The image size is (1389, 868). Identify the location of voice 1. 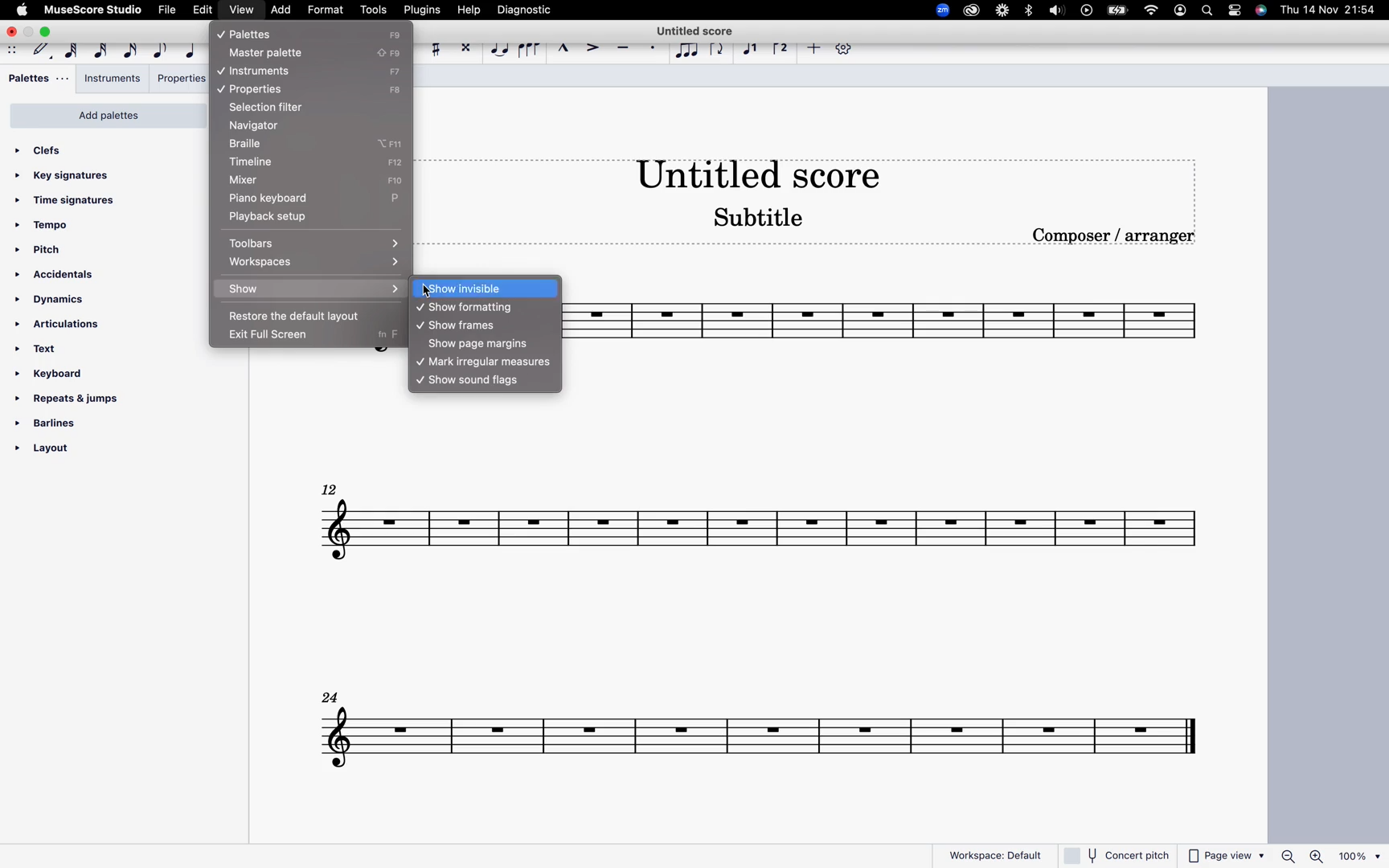
(748, 51).